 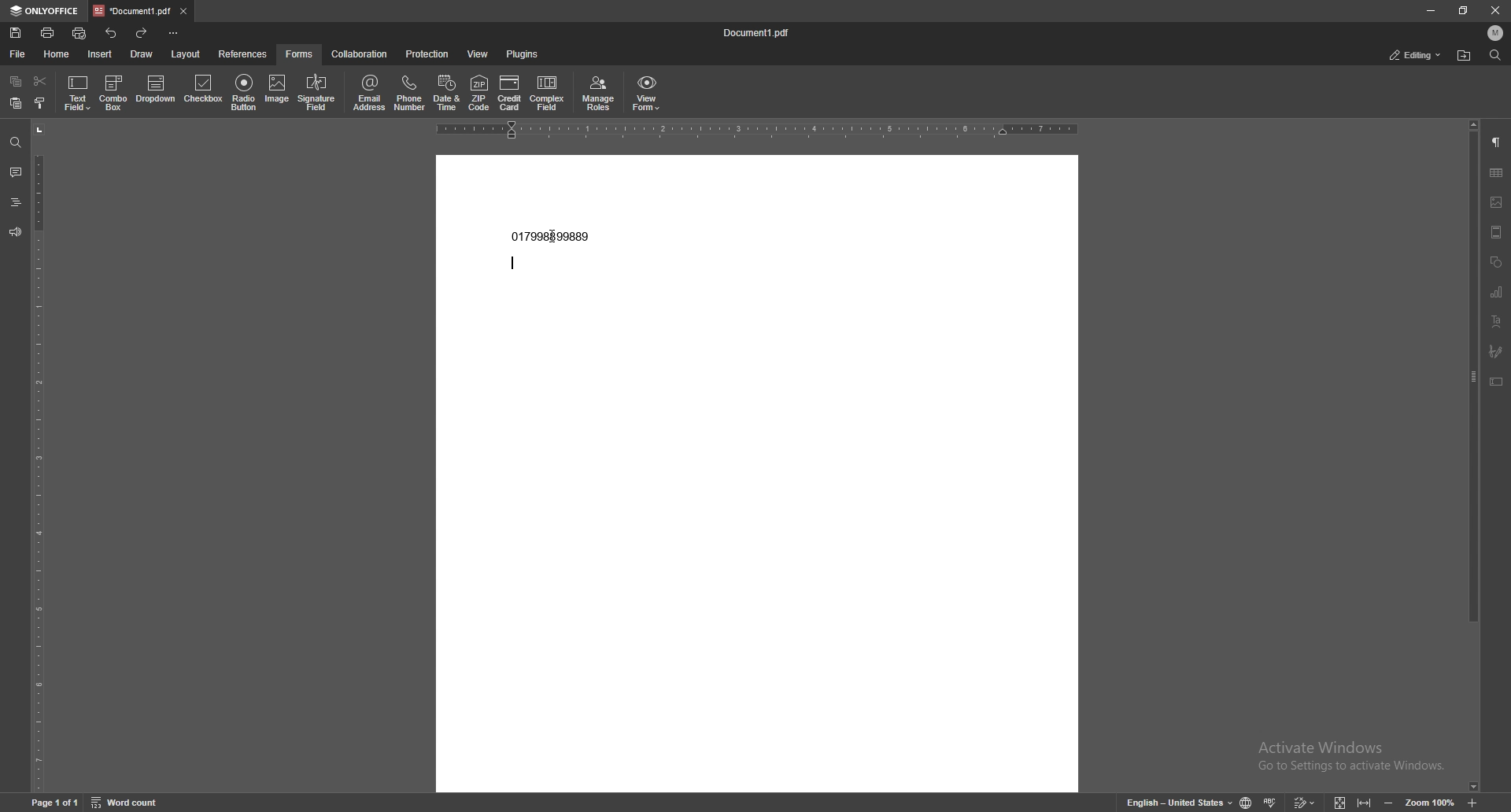 I want to click on email address, so click(x=369, y=92).